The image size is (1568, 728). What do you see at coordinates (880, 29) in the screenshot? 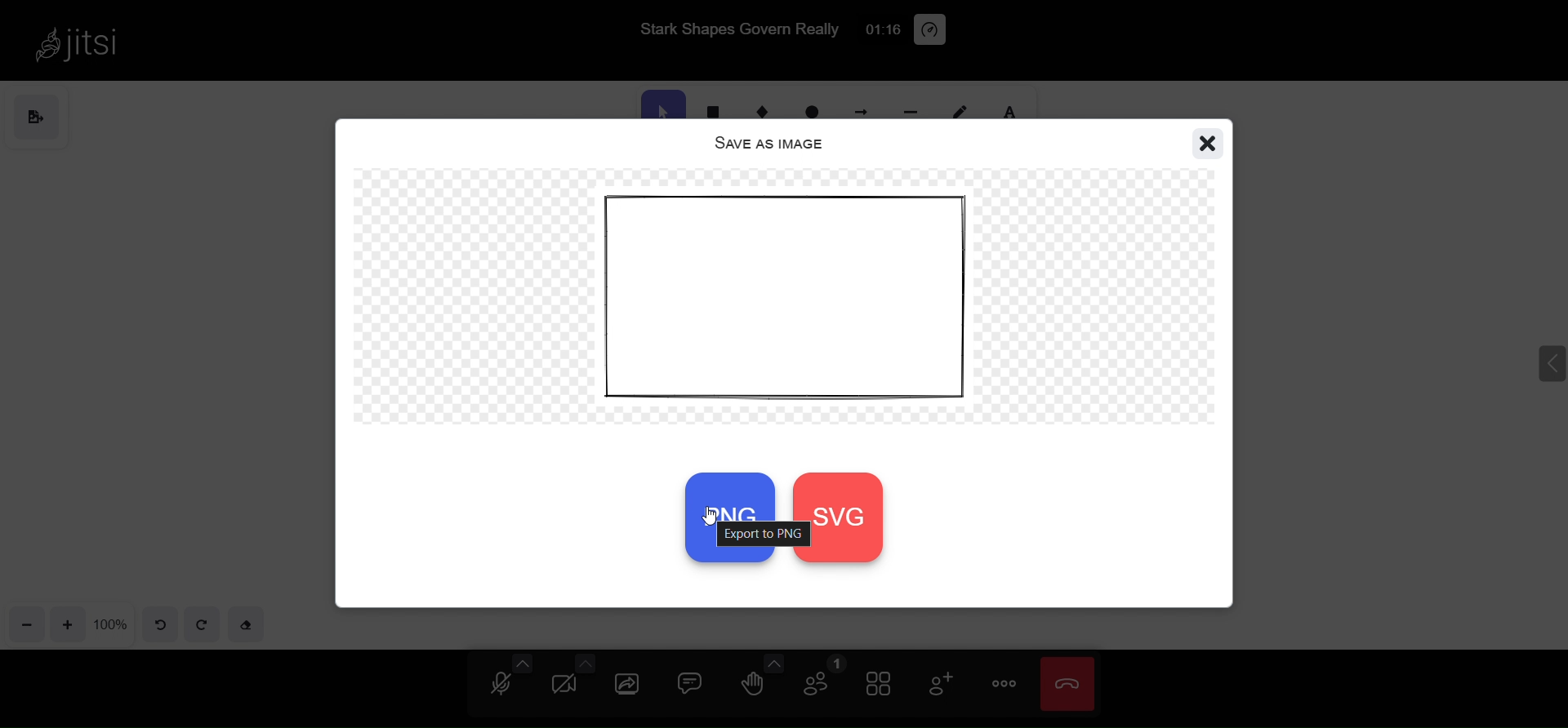
I see `01:10` at bounding box center [880, 29].